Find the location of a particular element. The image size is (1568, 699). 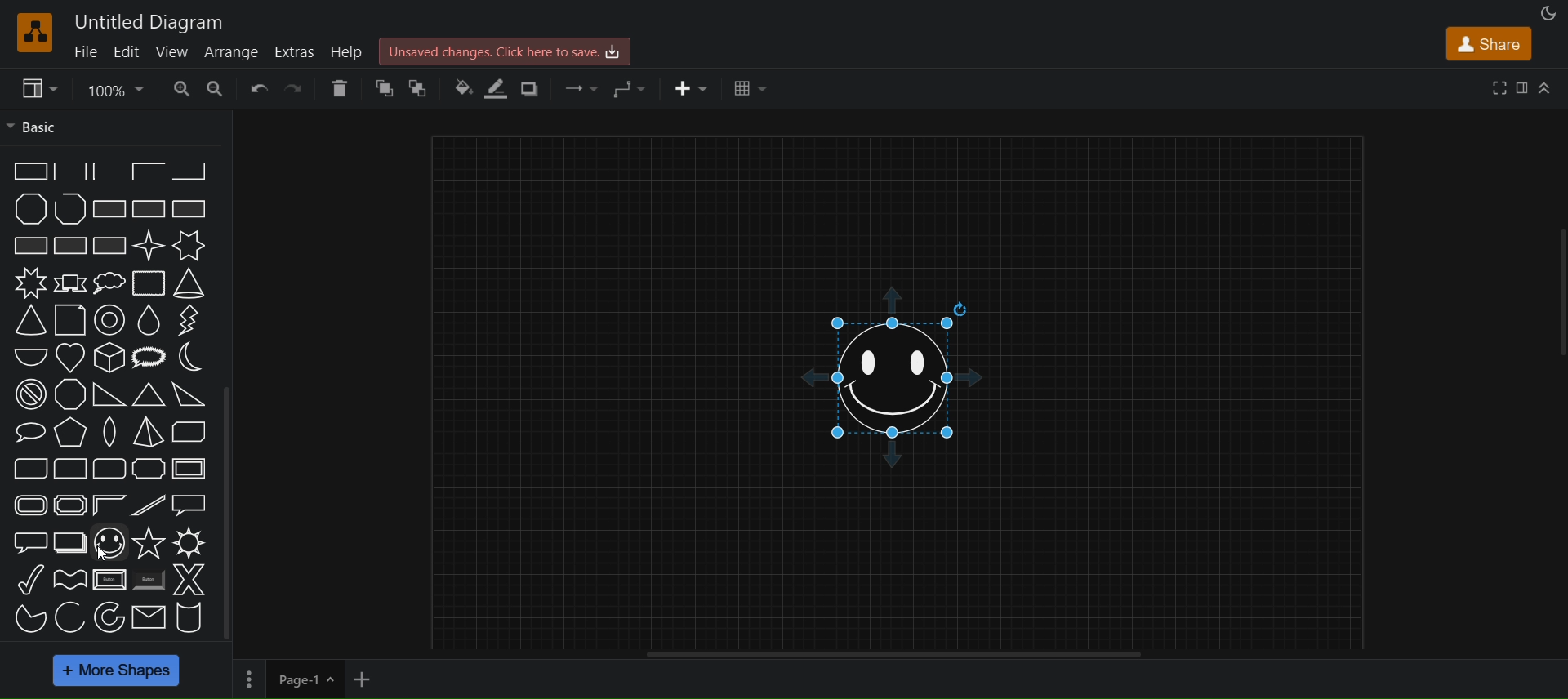

acr is located at coordinates (69, 617).